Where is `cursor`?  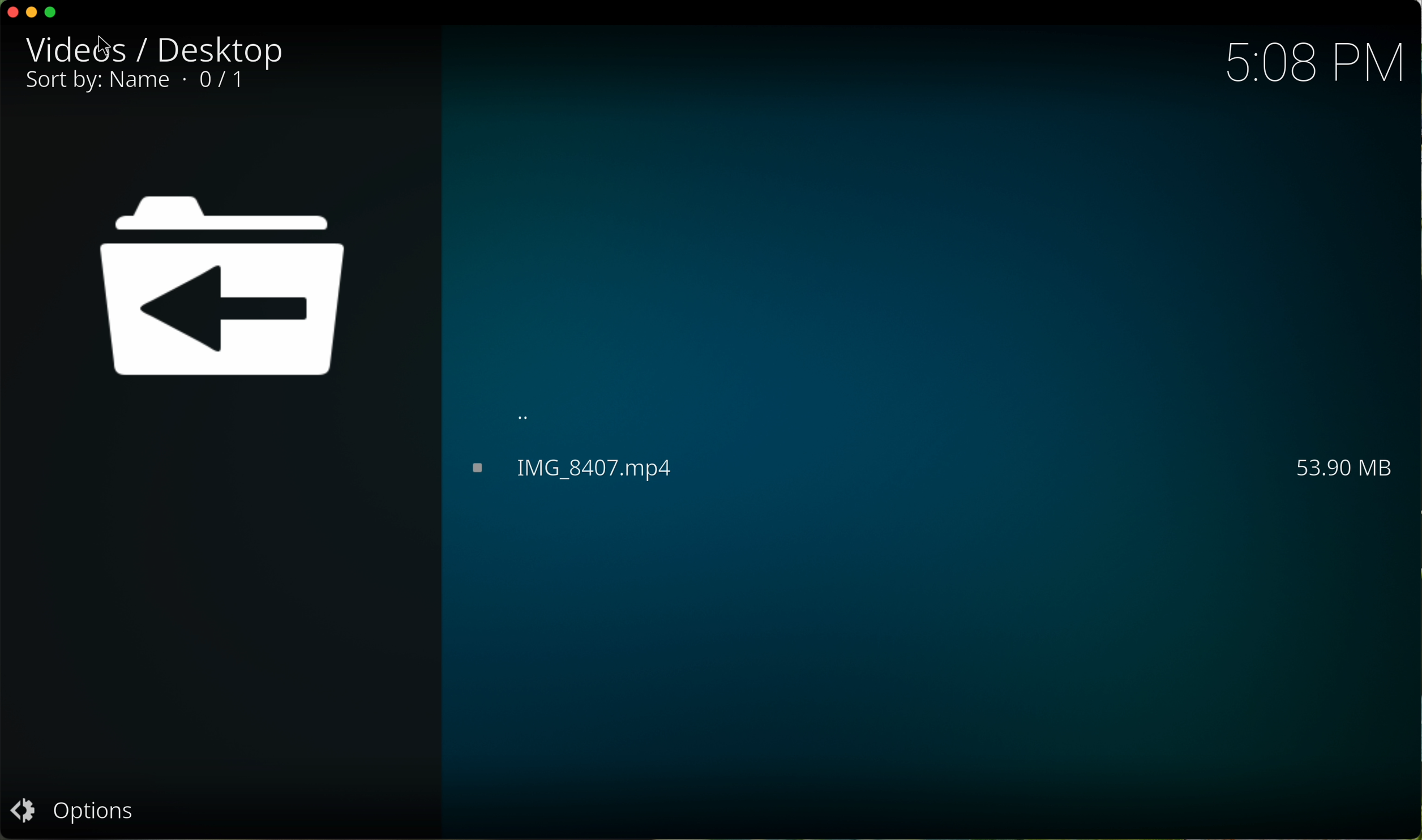 cursor is located at coordinates (109, 44).